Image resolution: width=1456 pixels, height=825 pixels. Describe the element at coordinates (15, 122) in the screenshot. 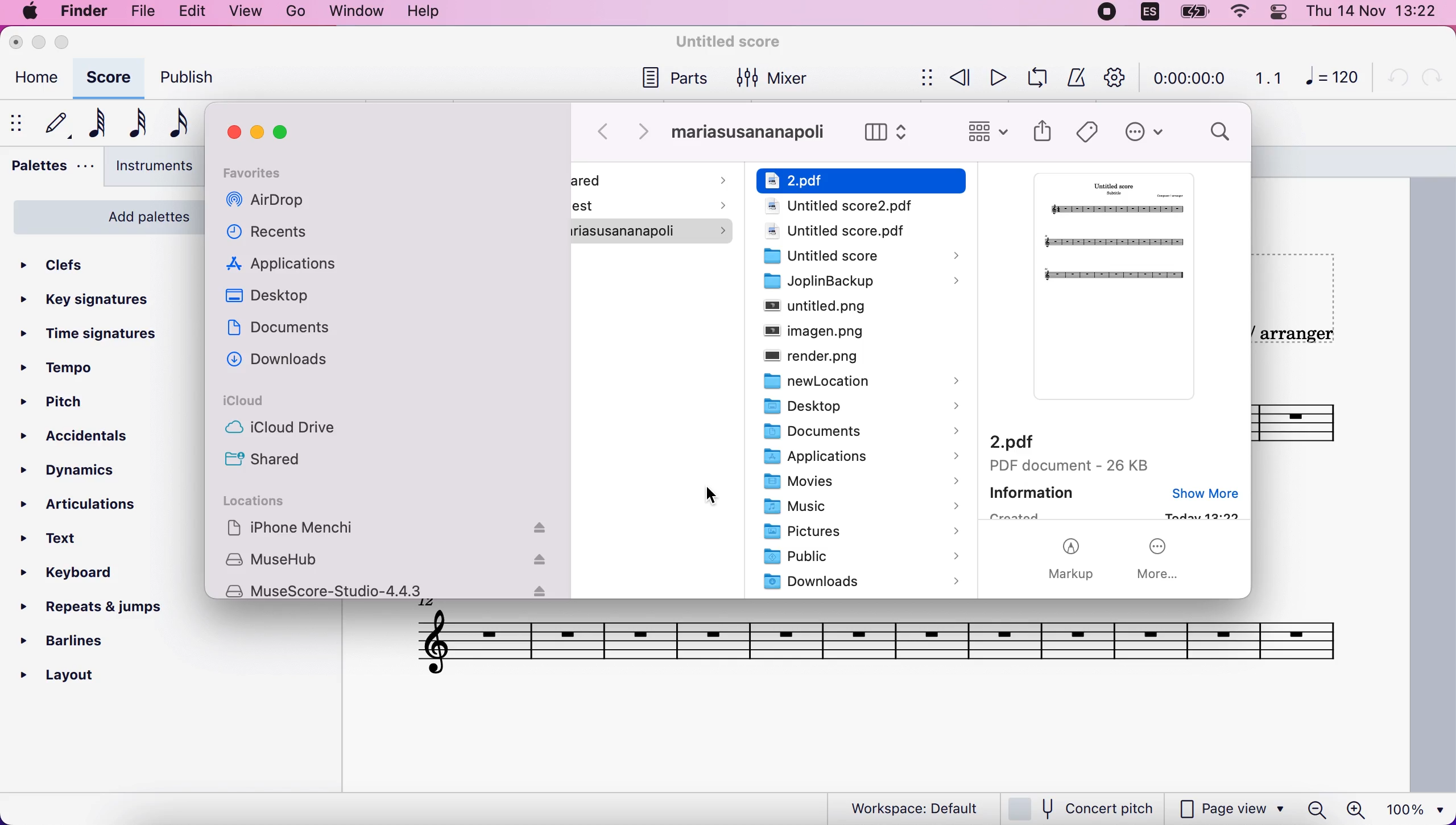

I see `show/hide` at that location.